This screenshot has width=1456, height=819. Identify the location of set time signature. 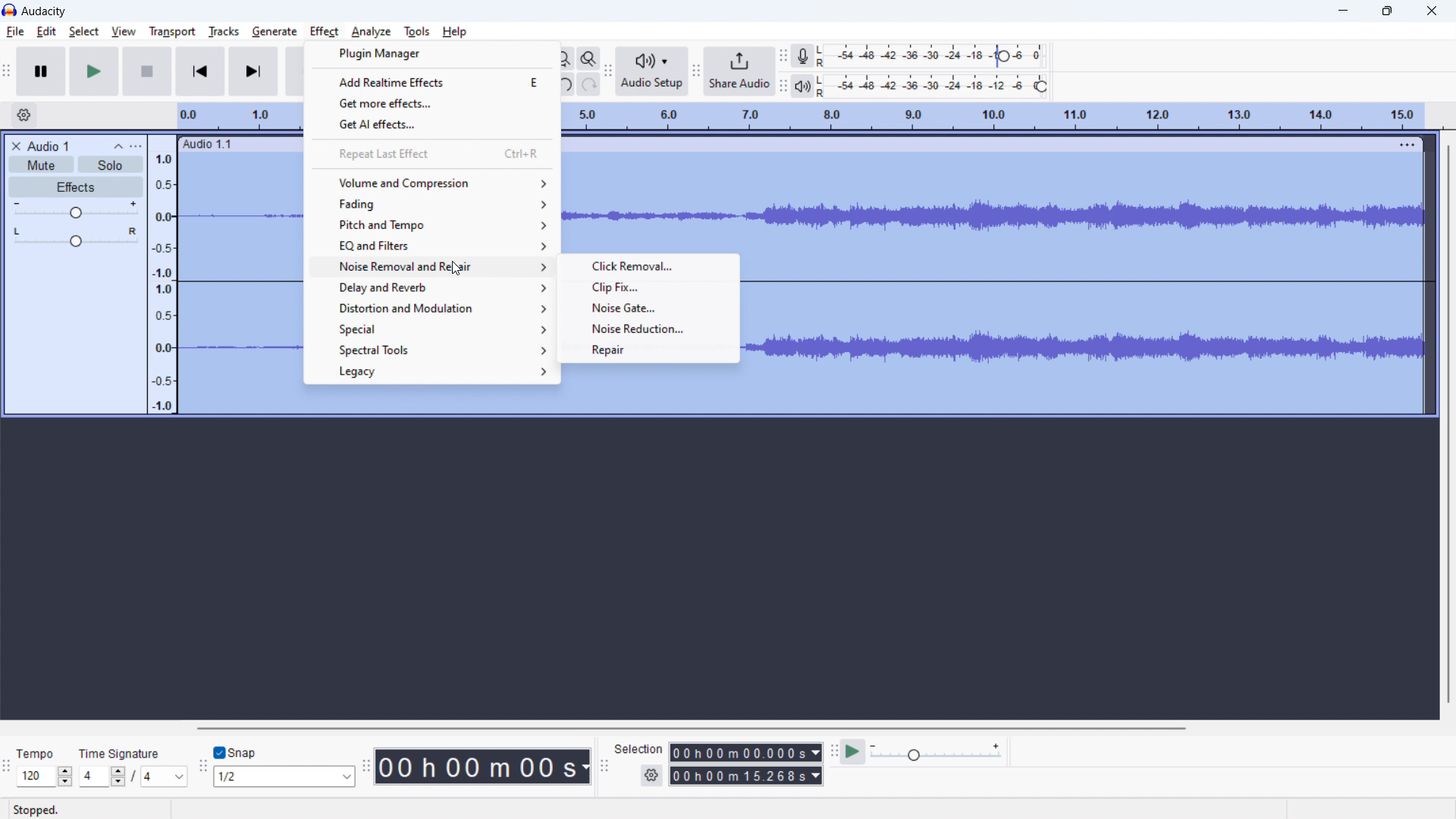
(133, 767).